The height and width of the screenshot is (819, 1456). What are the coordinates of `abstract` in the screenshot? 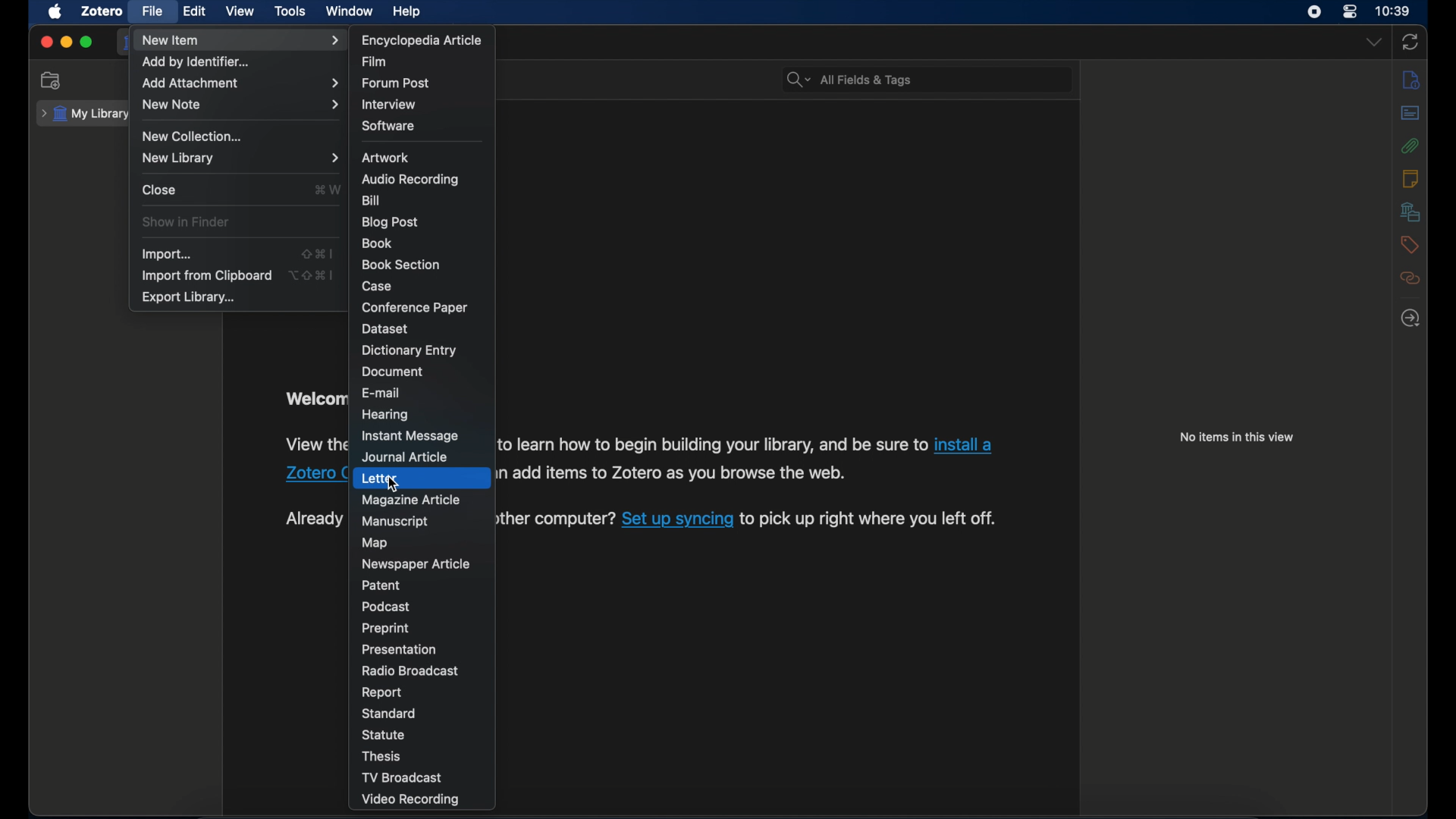 It's located at (1410, 112).